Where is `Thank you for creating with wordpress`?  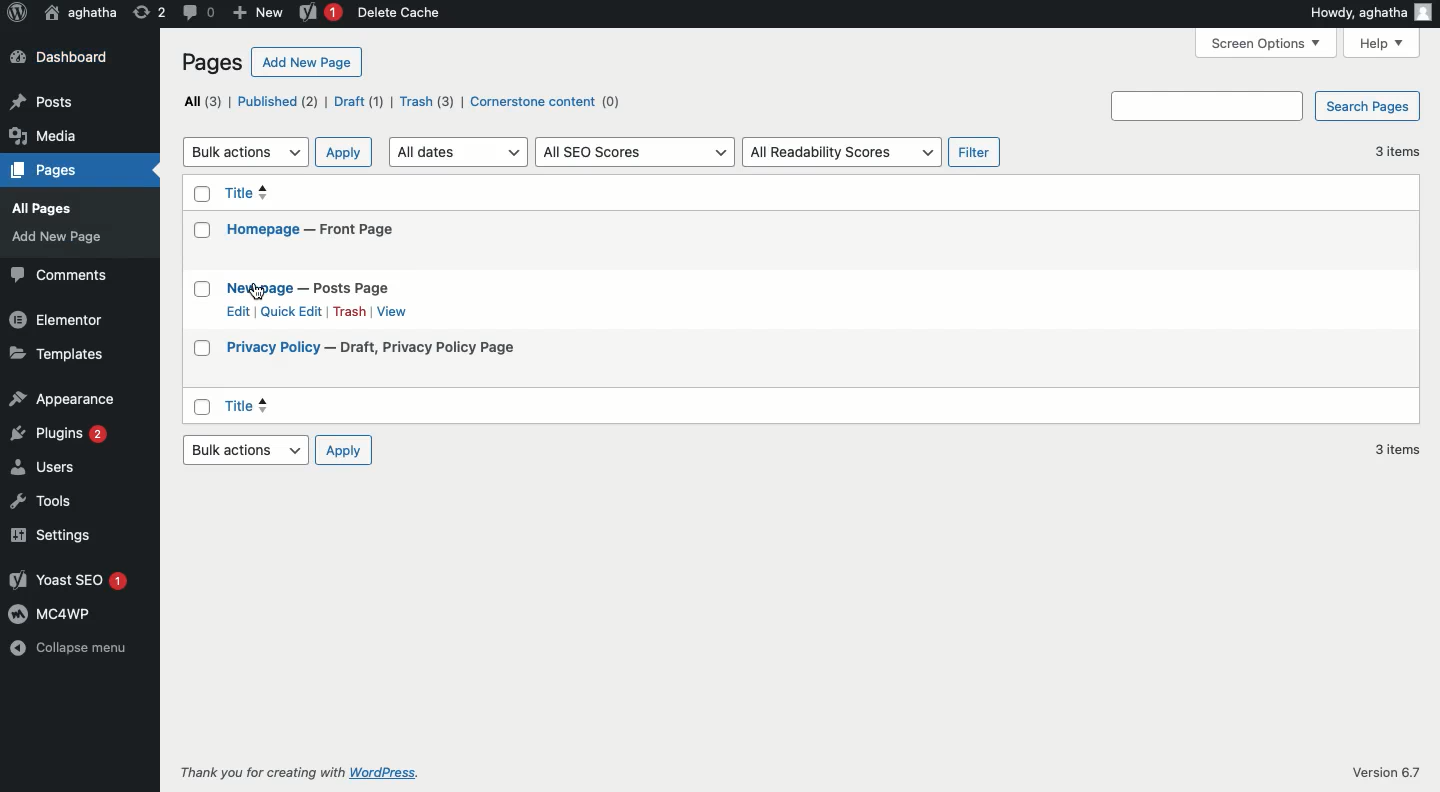 Thank you for creating with wordpress is located at coordinates (310, 773).